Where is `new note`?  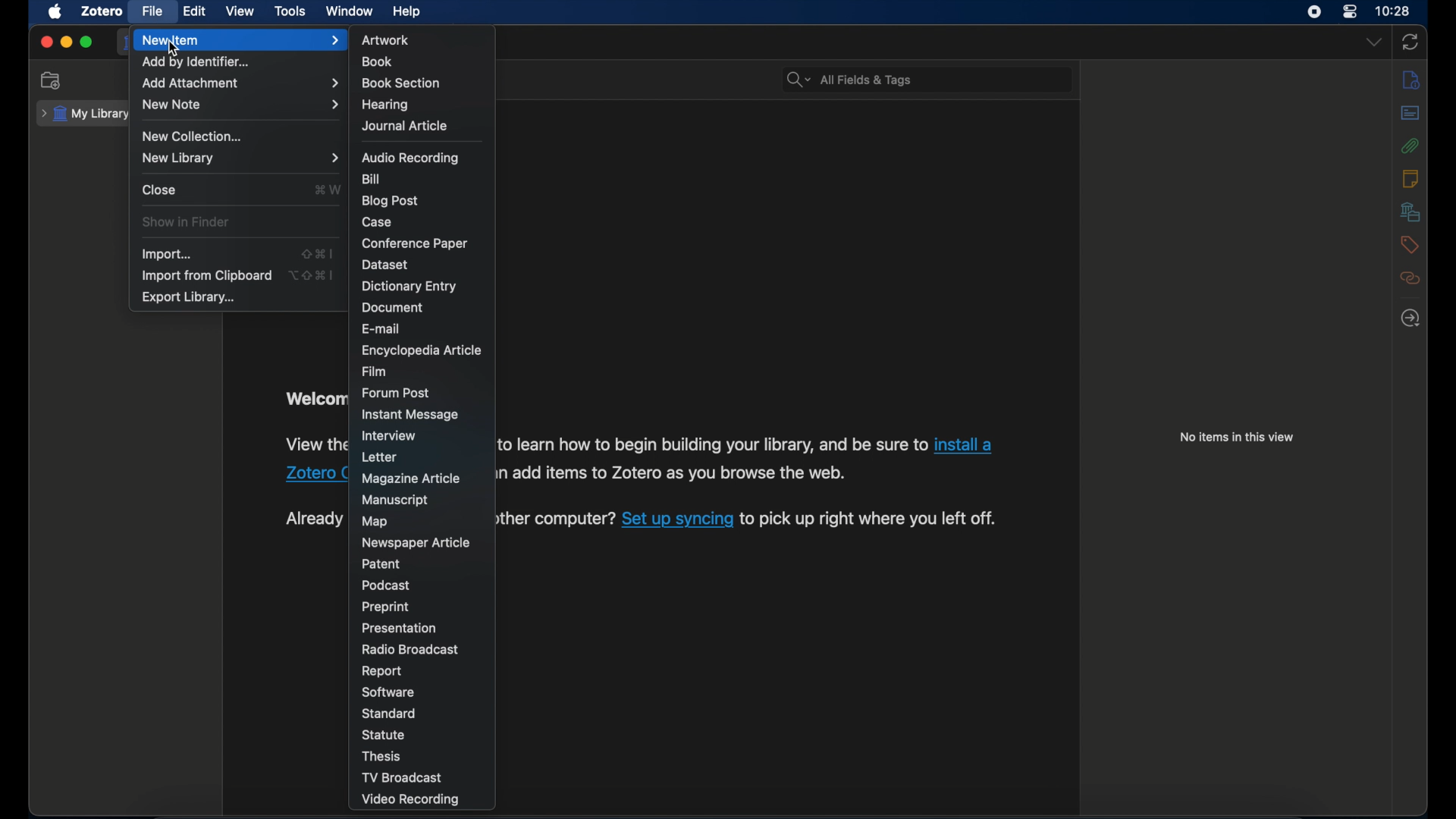 new note is located at coordinates (240, 105).